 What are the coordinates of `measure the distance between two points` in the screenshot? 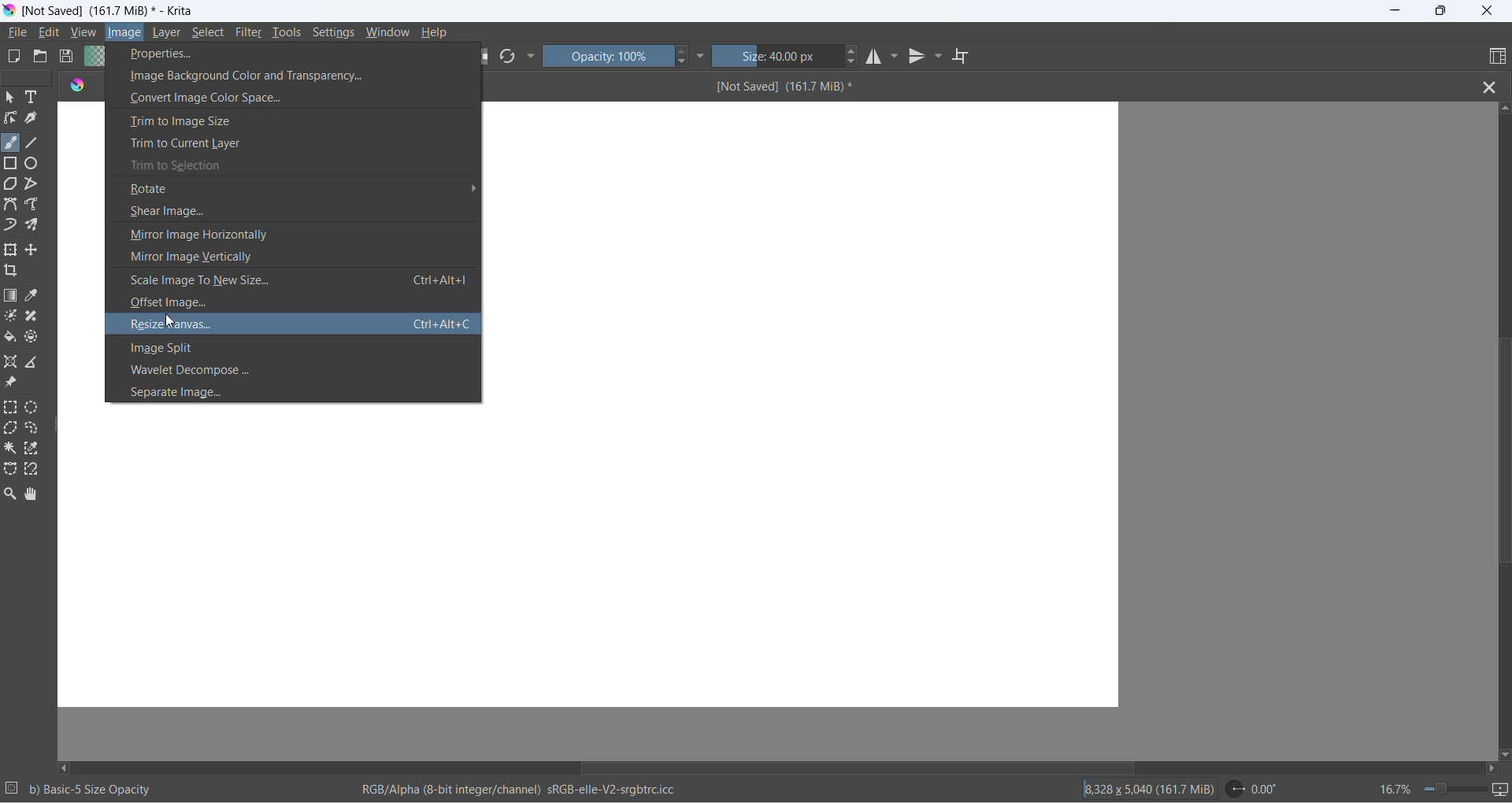 It's located at (36, 363).